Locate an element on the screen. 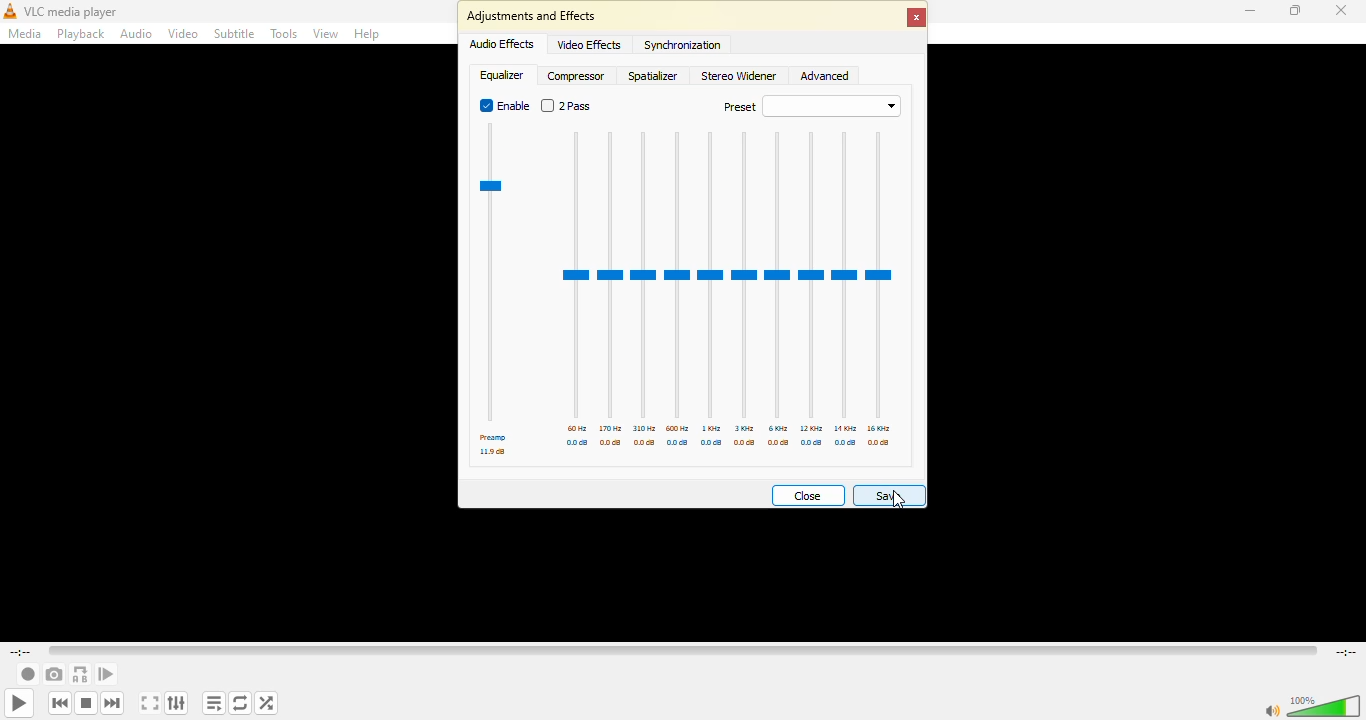 This screenshot has height=720, width=1366. 170 hz is located at coordinates (612, 428).